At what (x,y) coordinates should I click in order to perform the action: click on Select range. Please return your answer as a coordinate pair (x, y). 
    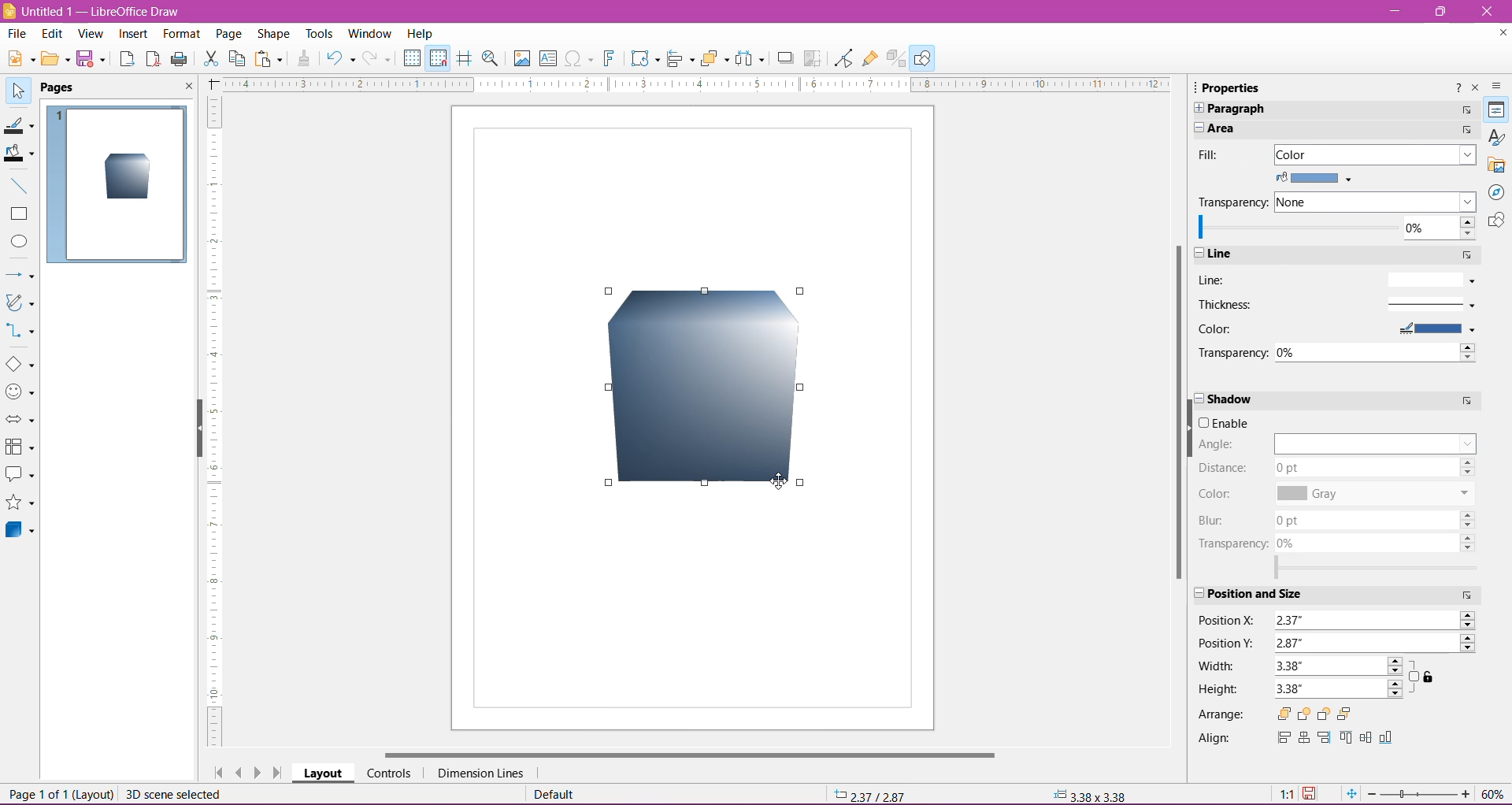
    Looking at the image, I should click on (1380, 568).